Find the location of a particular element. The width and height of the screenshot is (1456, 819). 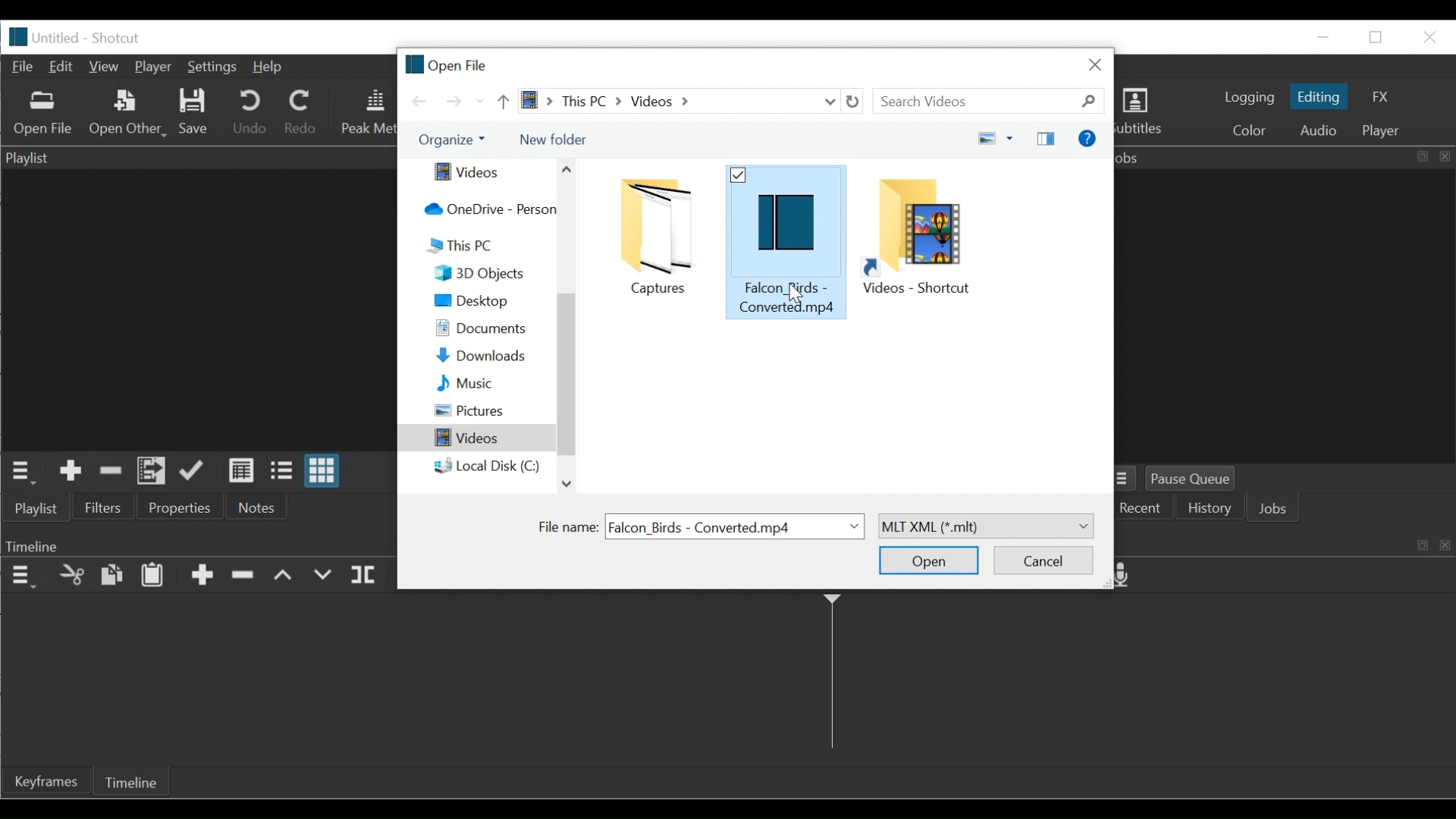

FX is located at coordinates (1377, 98).